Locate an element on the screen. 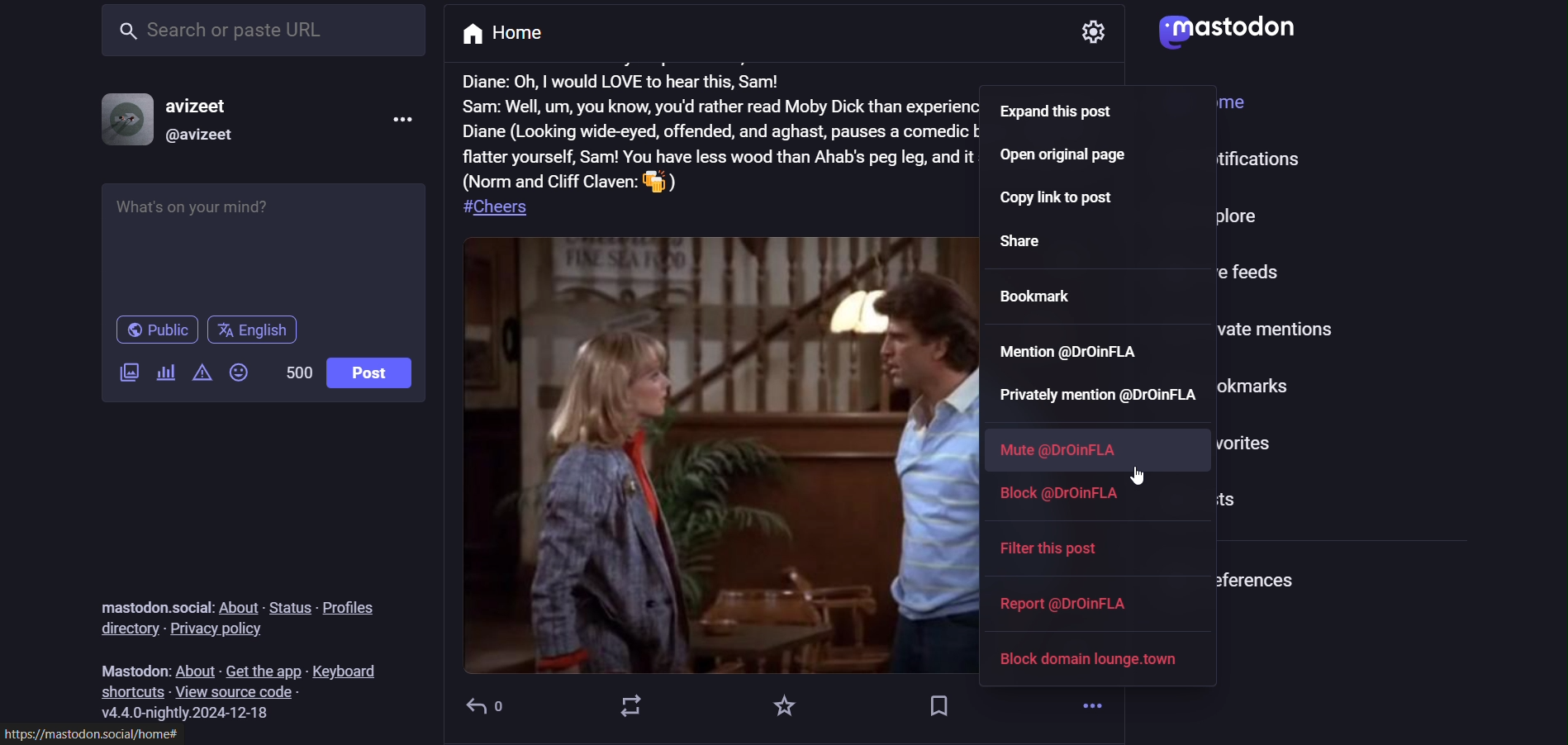  public is located at coordinates (154, 331).